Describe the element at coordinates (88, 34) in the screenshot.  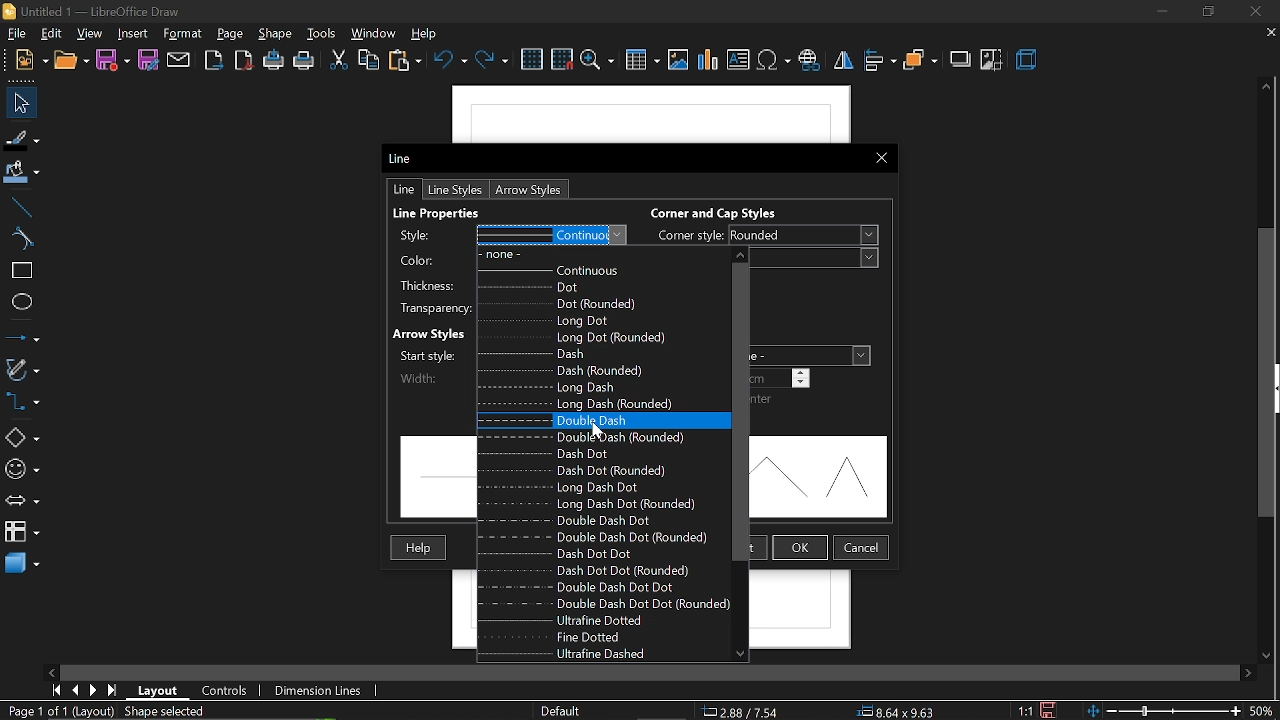
I see `view` at that location.